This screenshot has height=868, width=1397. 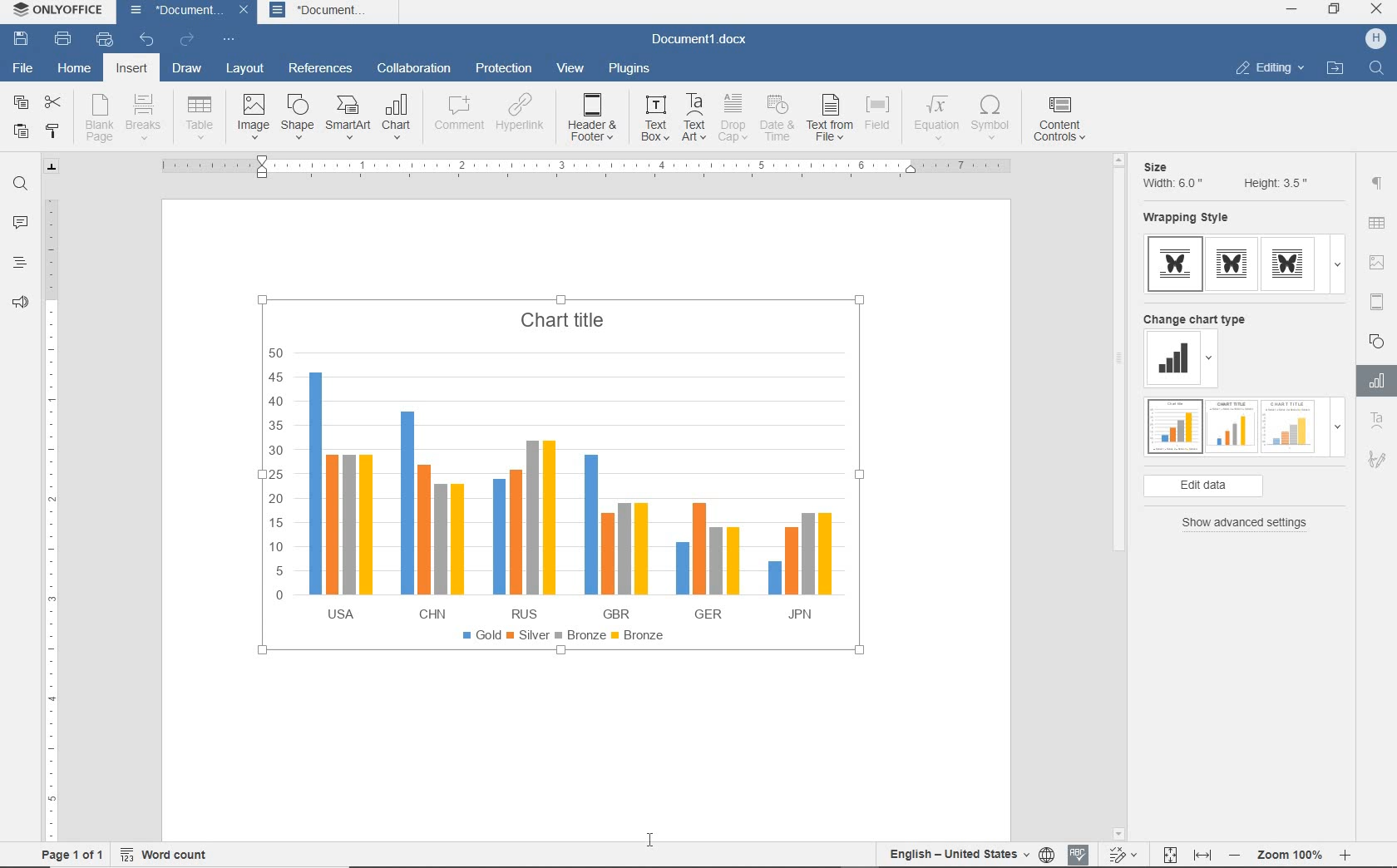 I want to click on date & time, so click(x=779, y=118).